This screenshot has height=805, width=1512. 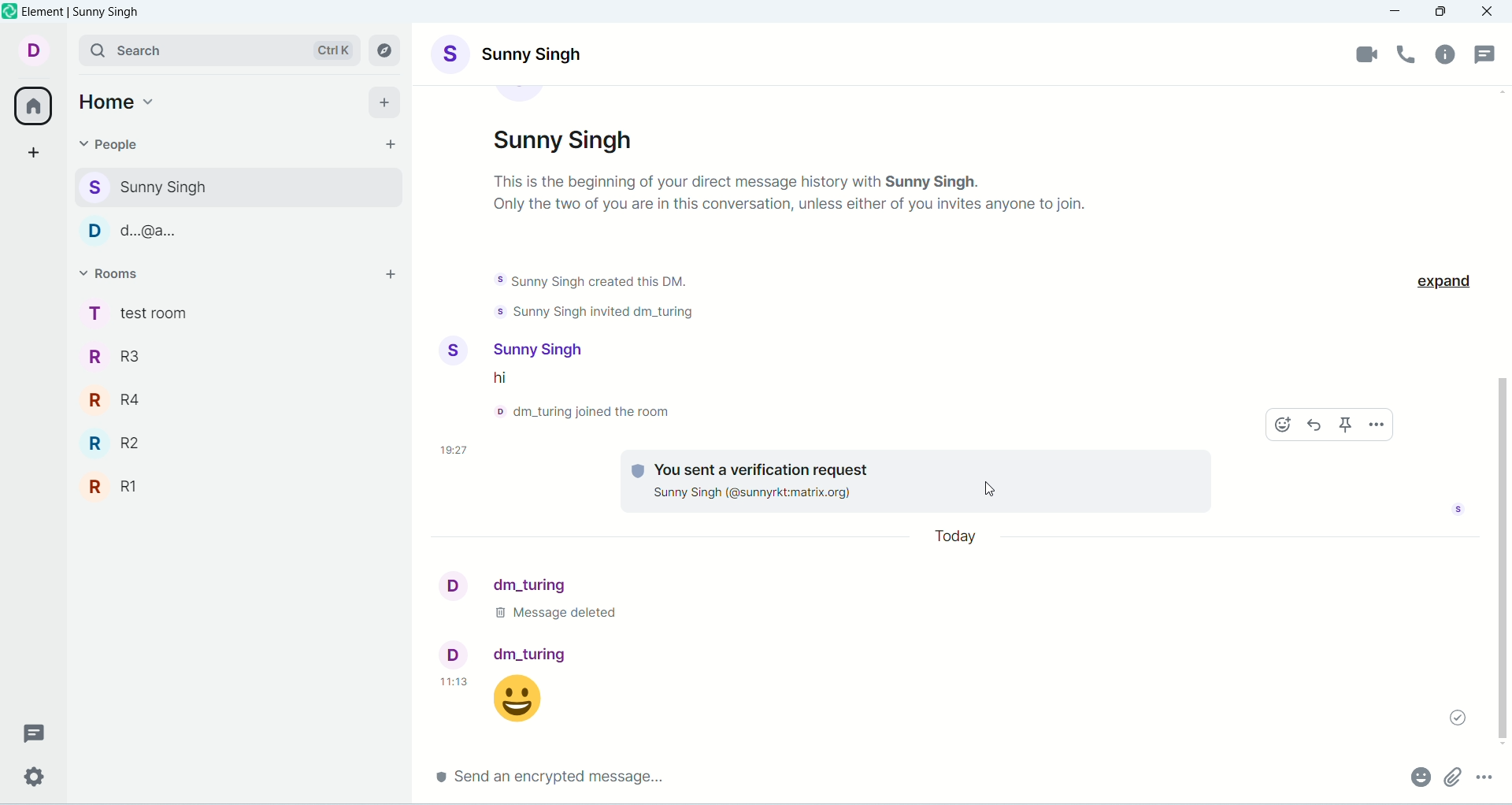 What do you see at coordinates (957, 540) in the screenshot?
I see `day` at bounding box center [957, 540].